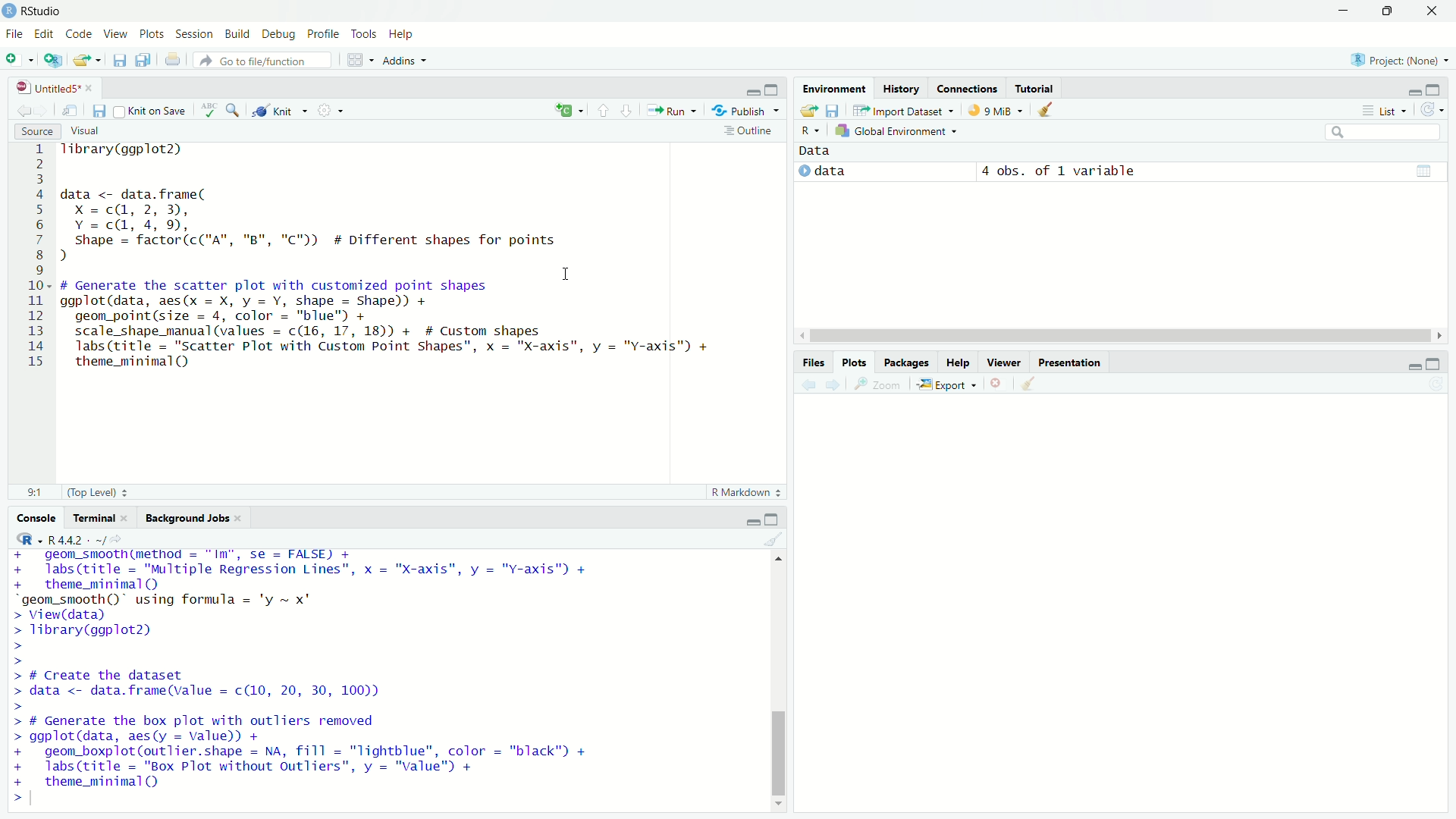  I want to click on Knit, so click(279, 110).